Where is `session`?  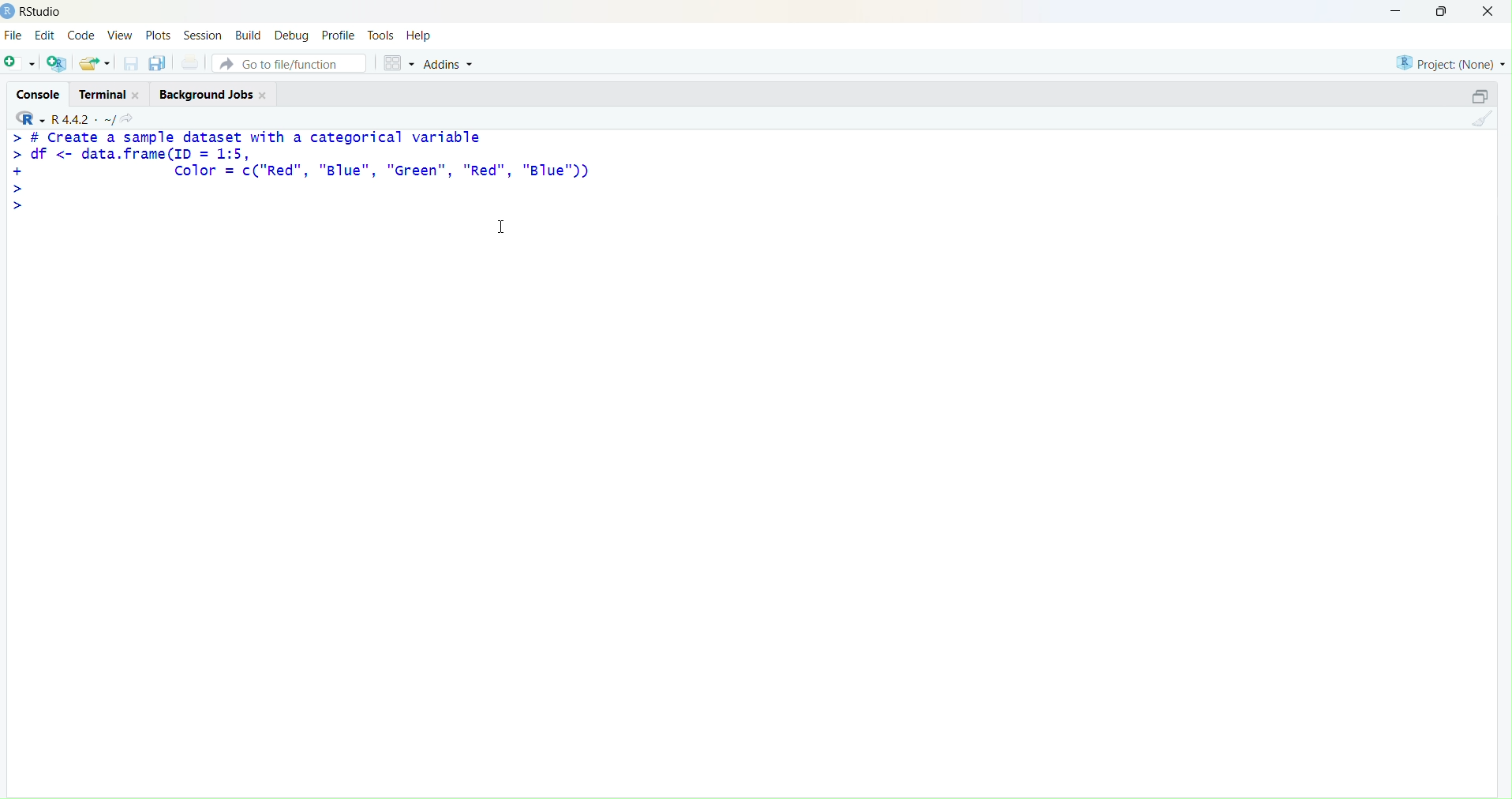 session is located at coordinates (204, 36).